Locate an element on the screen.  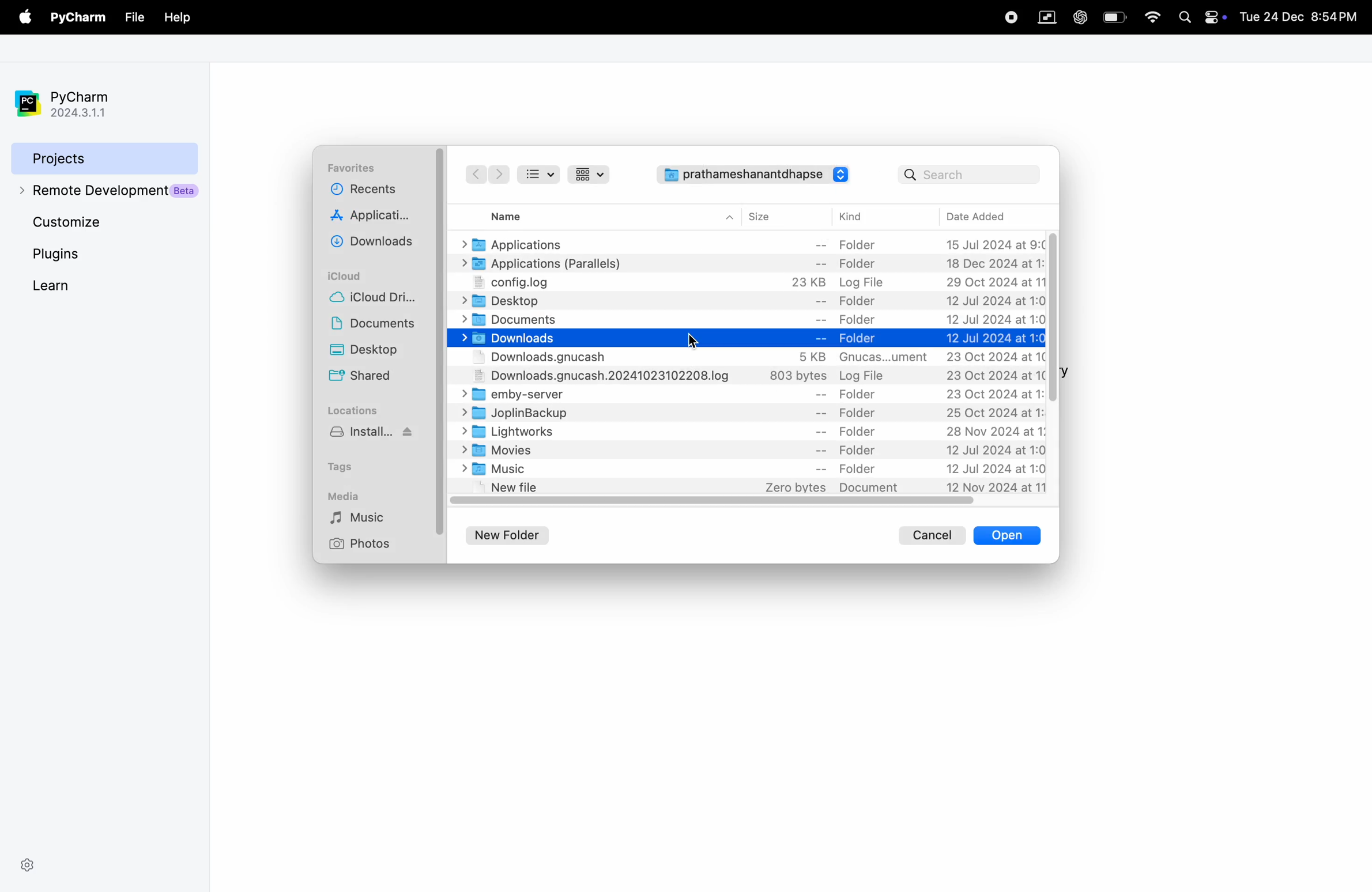
apple menu is located at coordinates (22, 18).